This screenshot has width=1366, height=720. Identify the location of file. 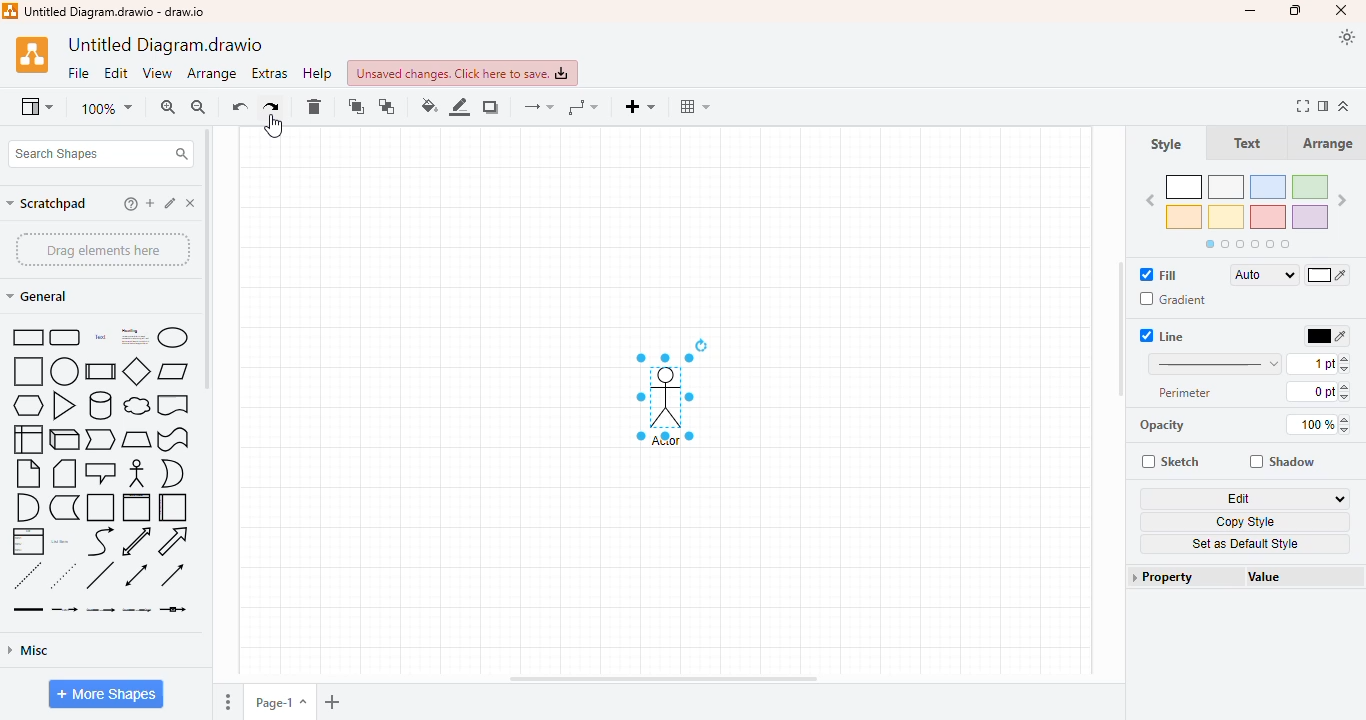
(79, 73).